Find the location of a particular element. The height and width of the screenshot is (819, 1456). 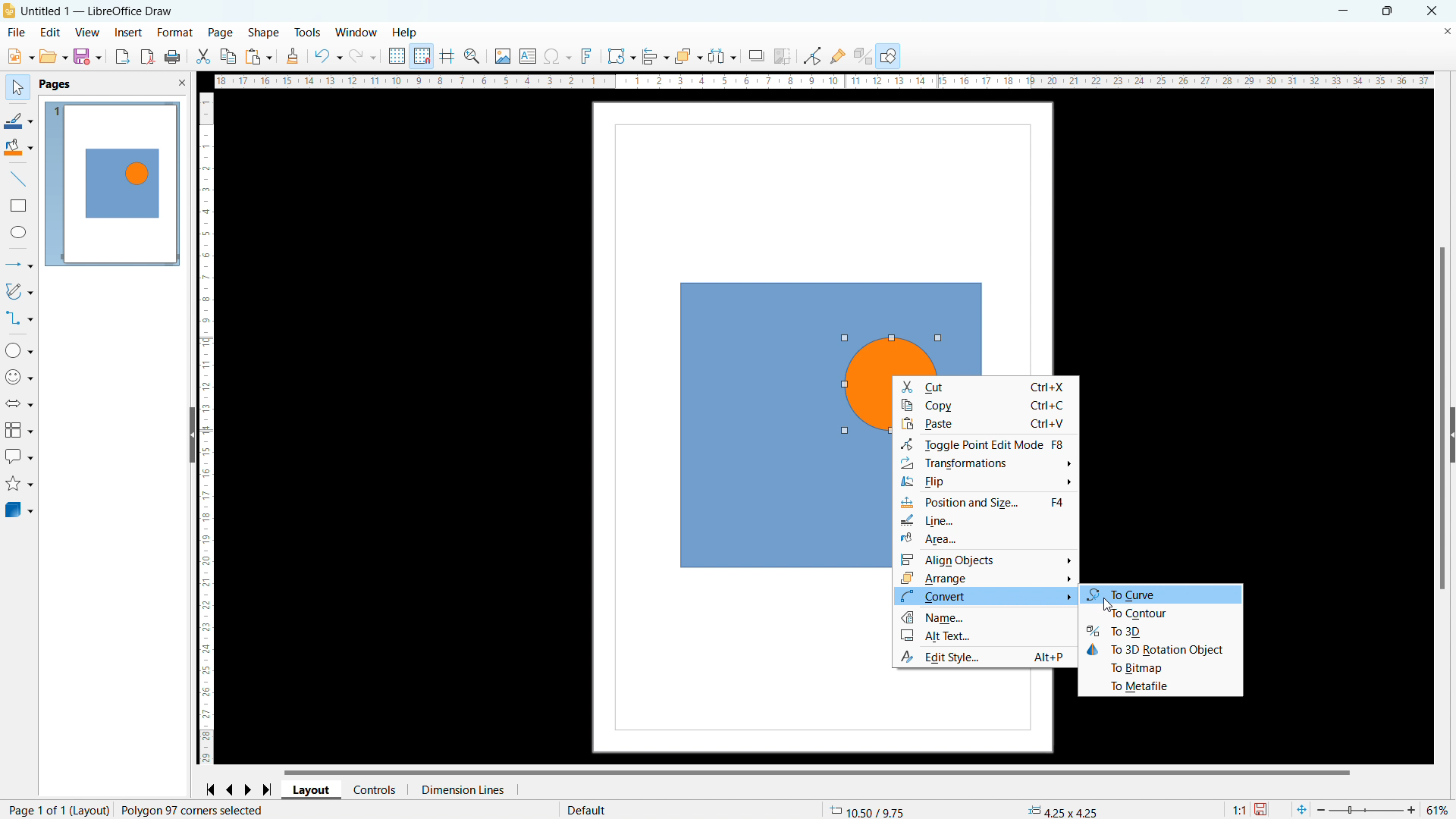

display grid is located at coordinates (396, 56).